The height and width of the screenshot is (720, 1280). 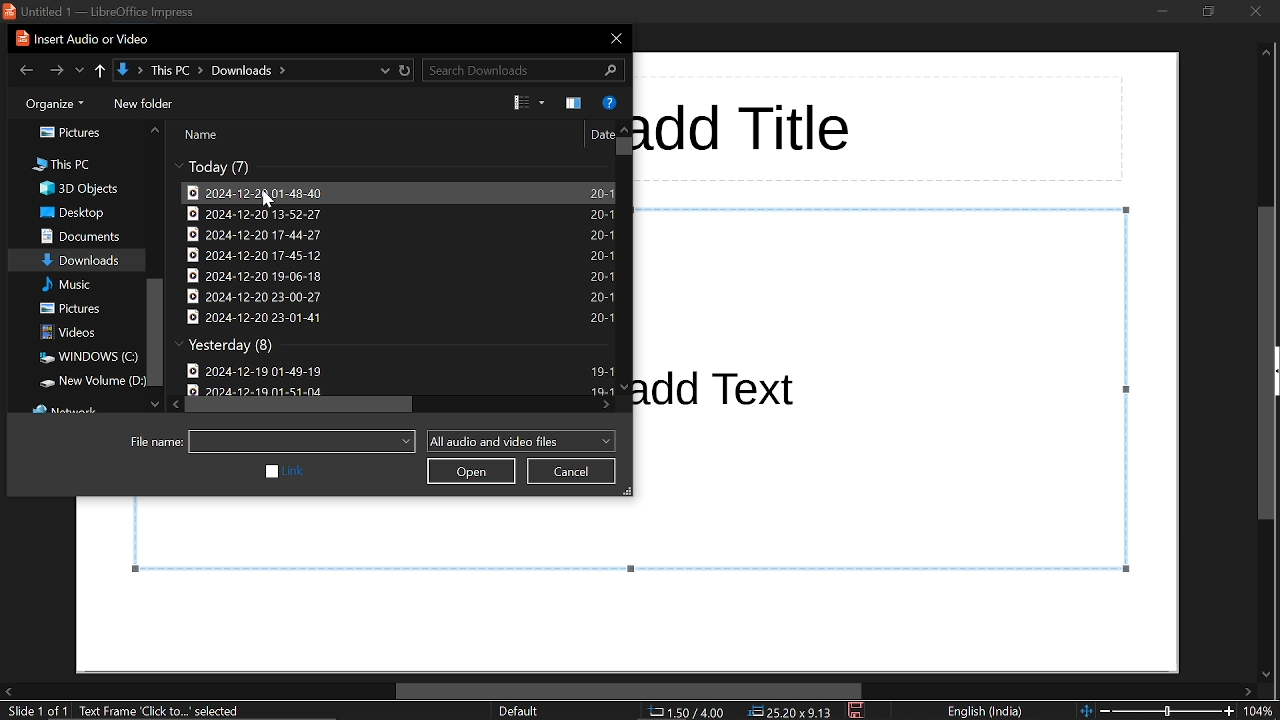 I want to click on windows(C:), so click(x=86, y=358).